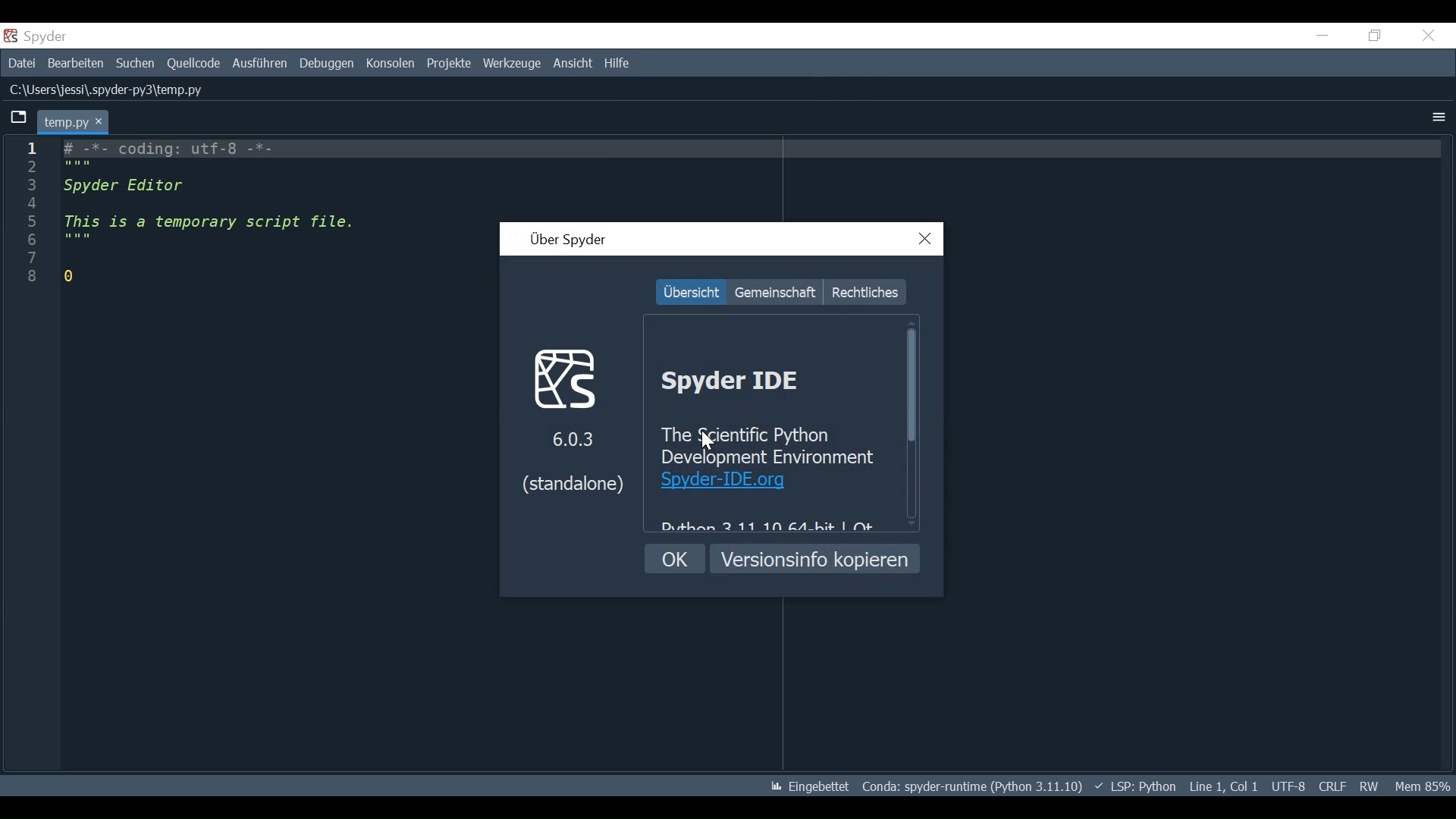  I want to click on Minimize, so click(1322, 36).